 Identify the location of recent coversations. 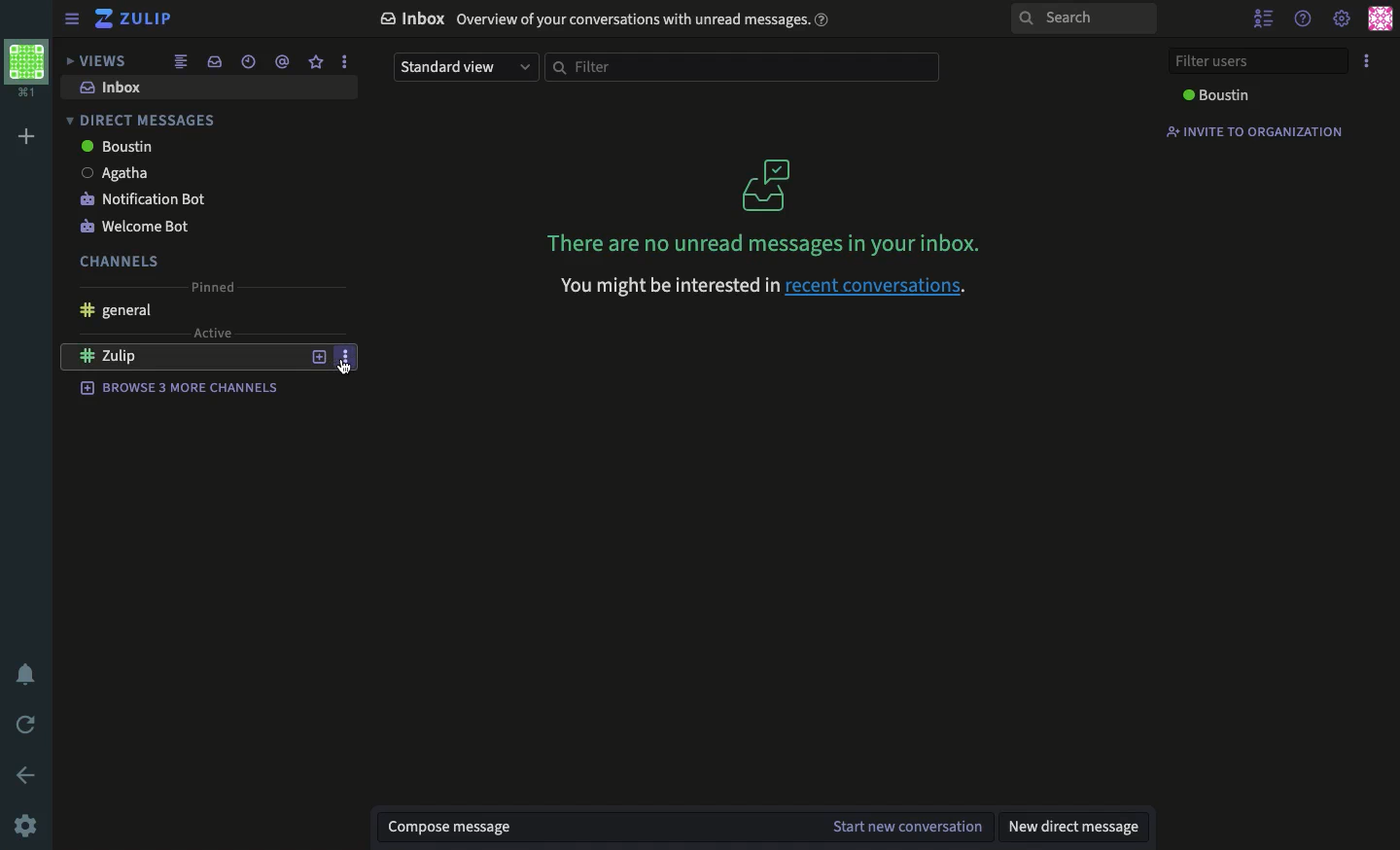
(884, 284).